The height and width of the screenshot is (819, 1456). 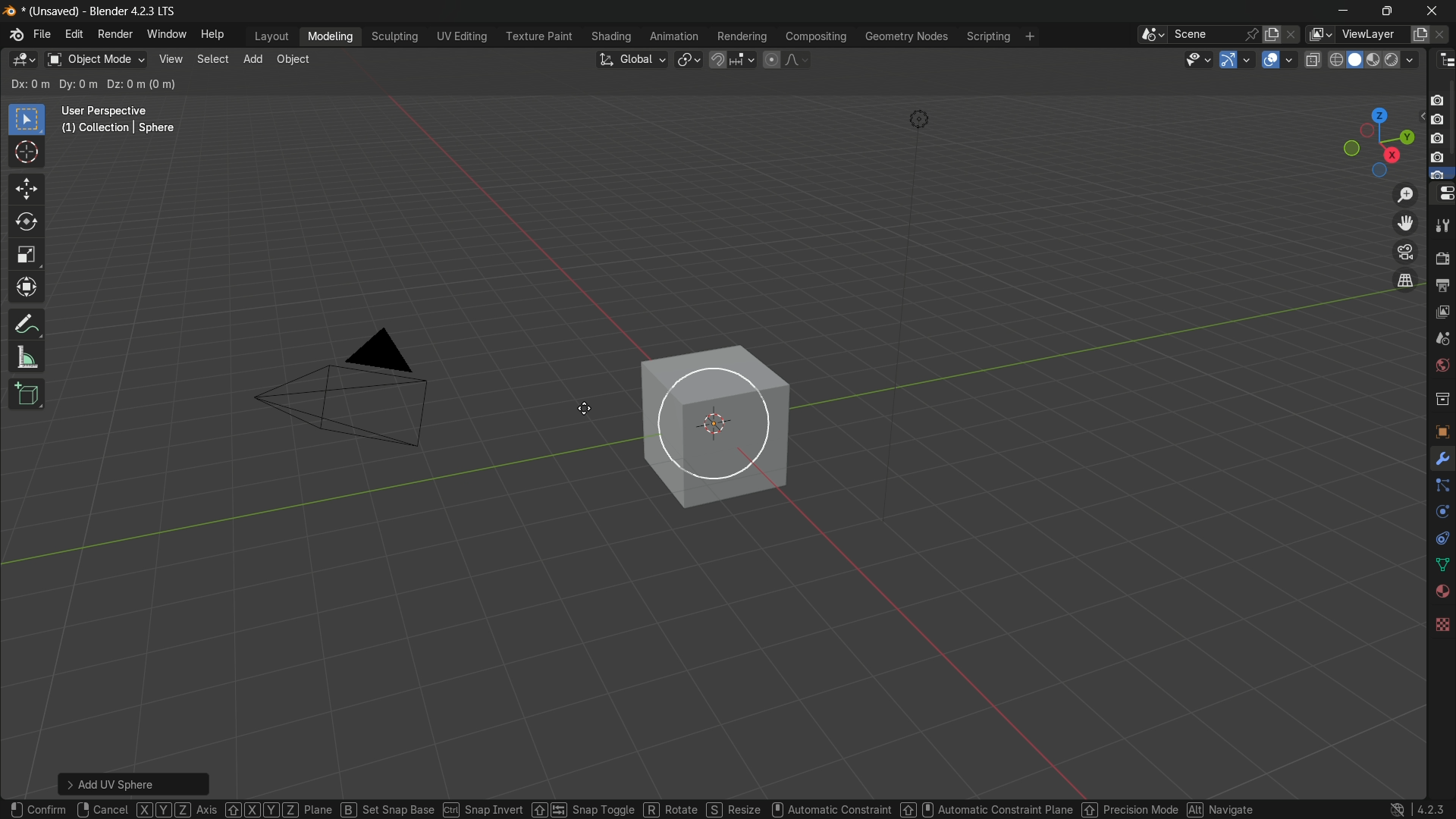 I want to click on show gizmo, so click(x=1229, y=60).